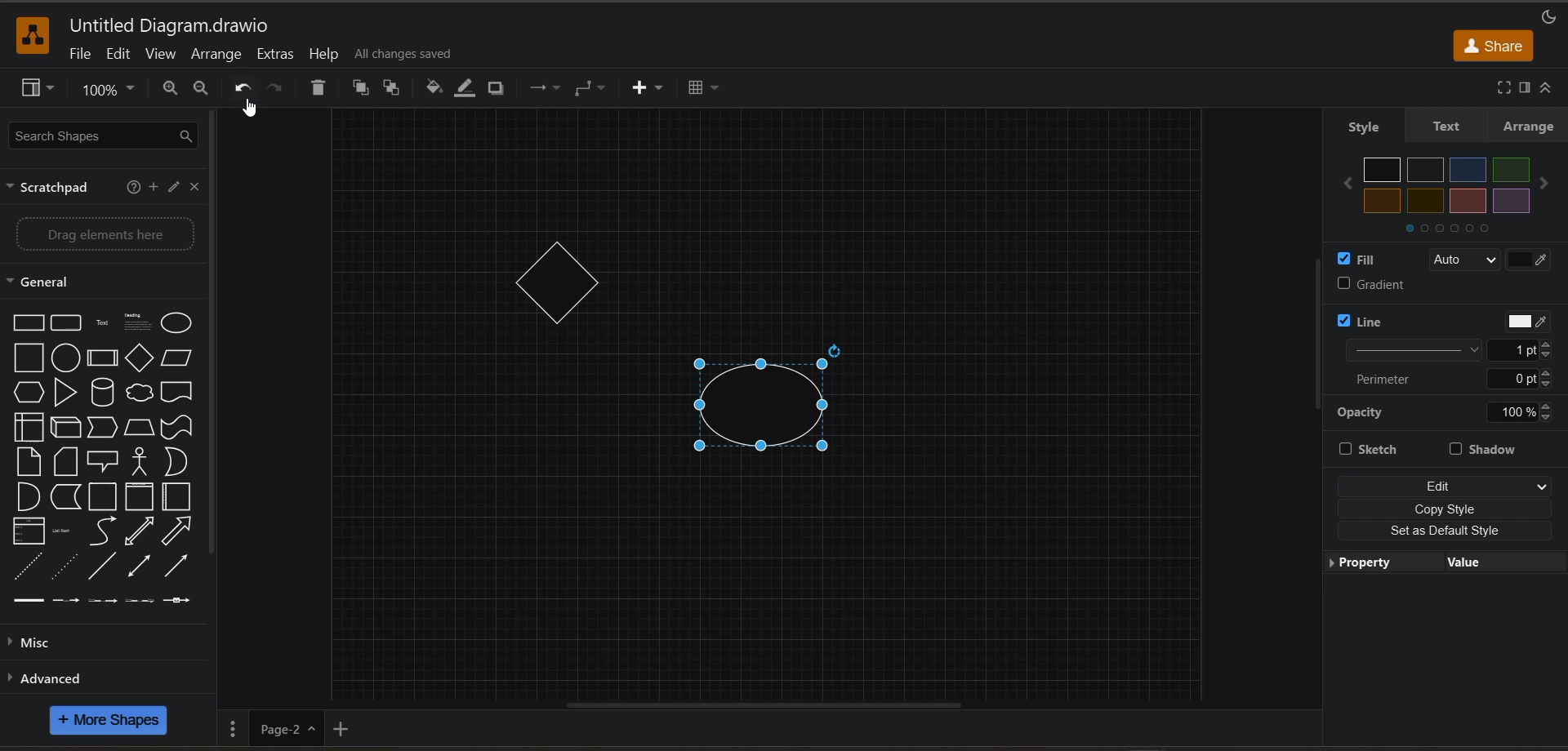 This screenshot has height=751, width=1568. Describe the element at coordinates (35, 91) in the screenshot. I see `view` at that location.